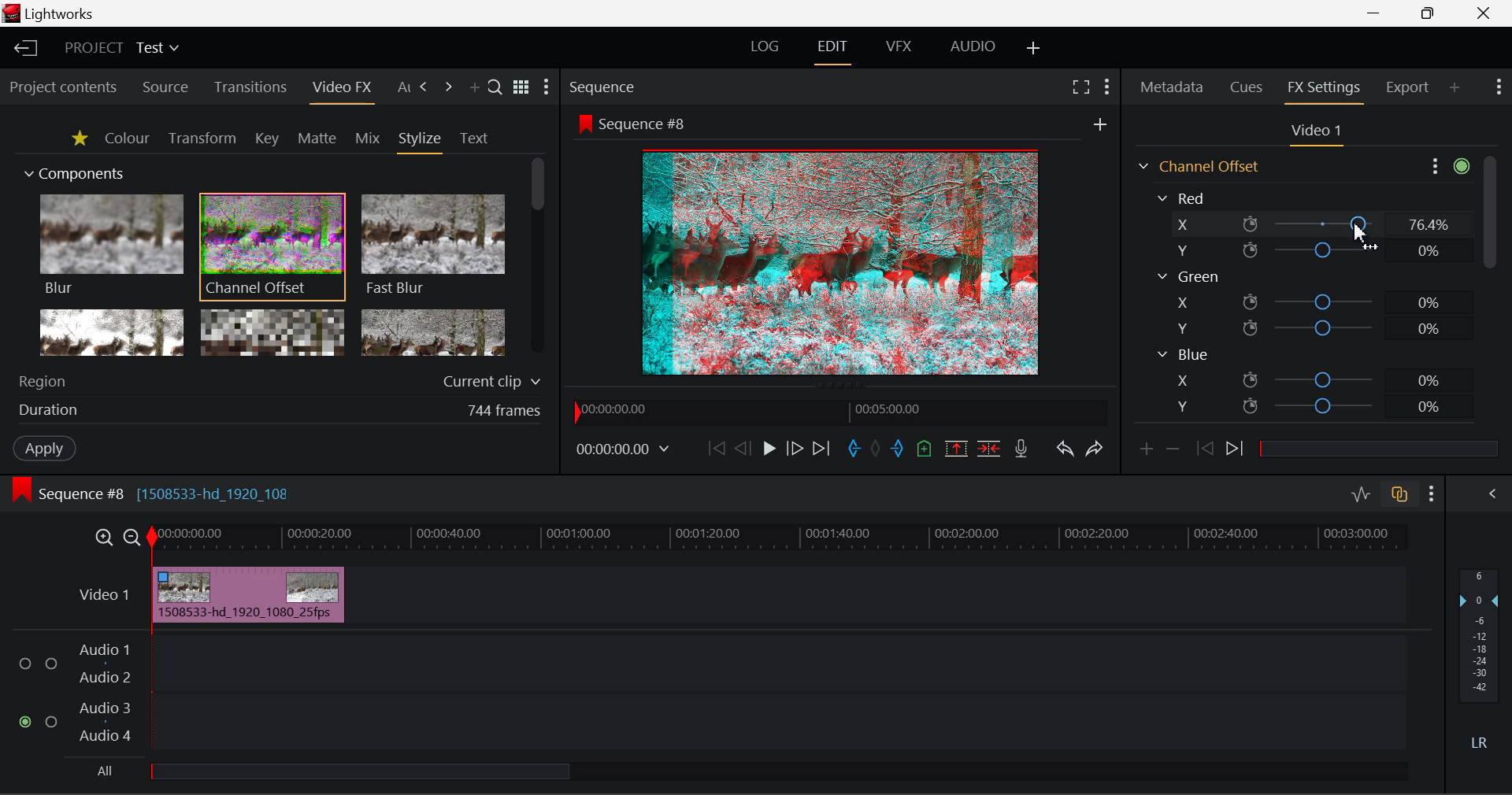 This screenshot has width=1512, height=795. I want to click on Play, so click(767, 449).